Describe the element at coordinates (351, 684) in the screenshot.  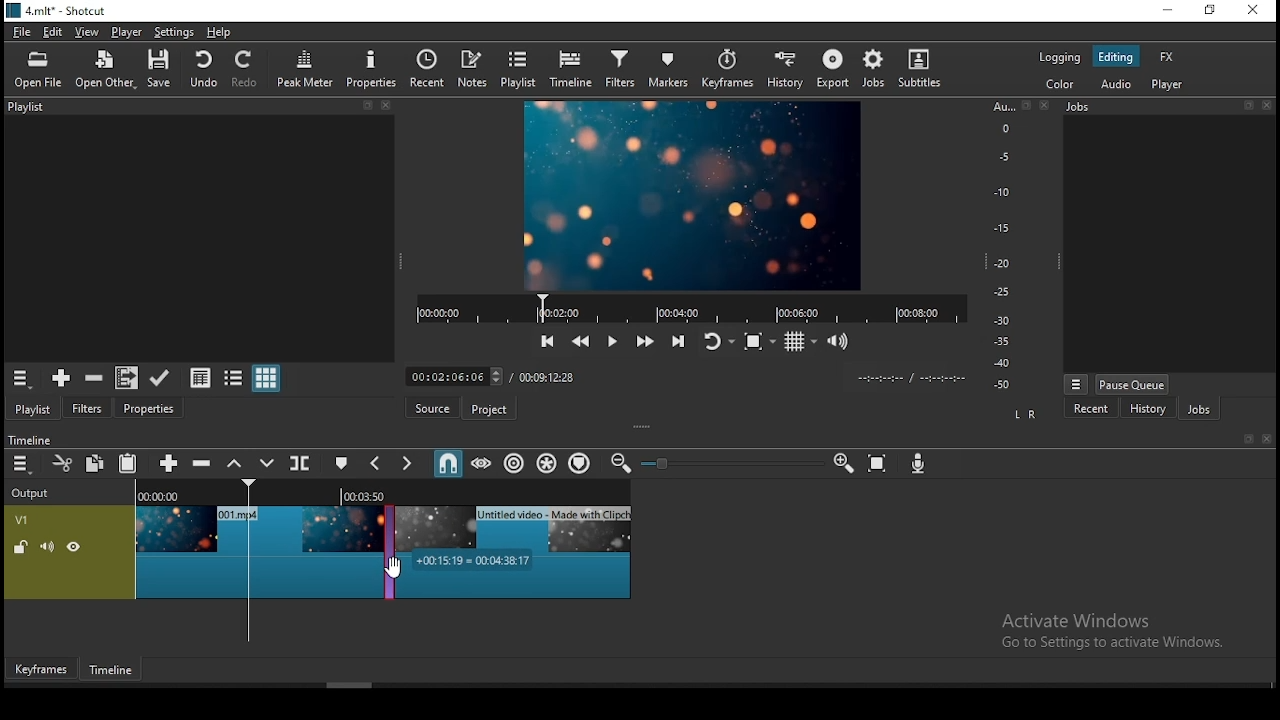
I see `scroll bar` at that location.